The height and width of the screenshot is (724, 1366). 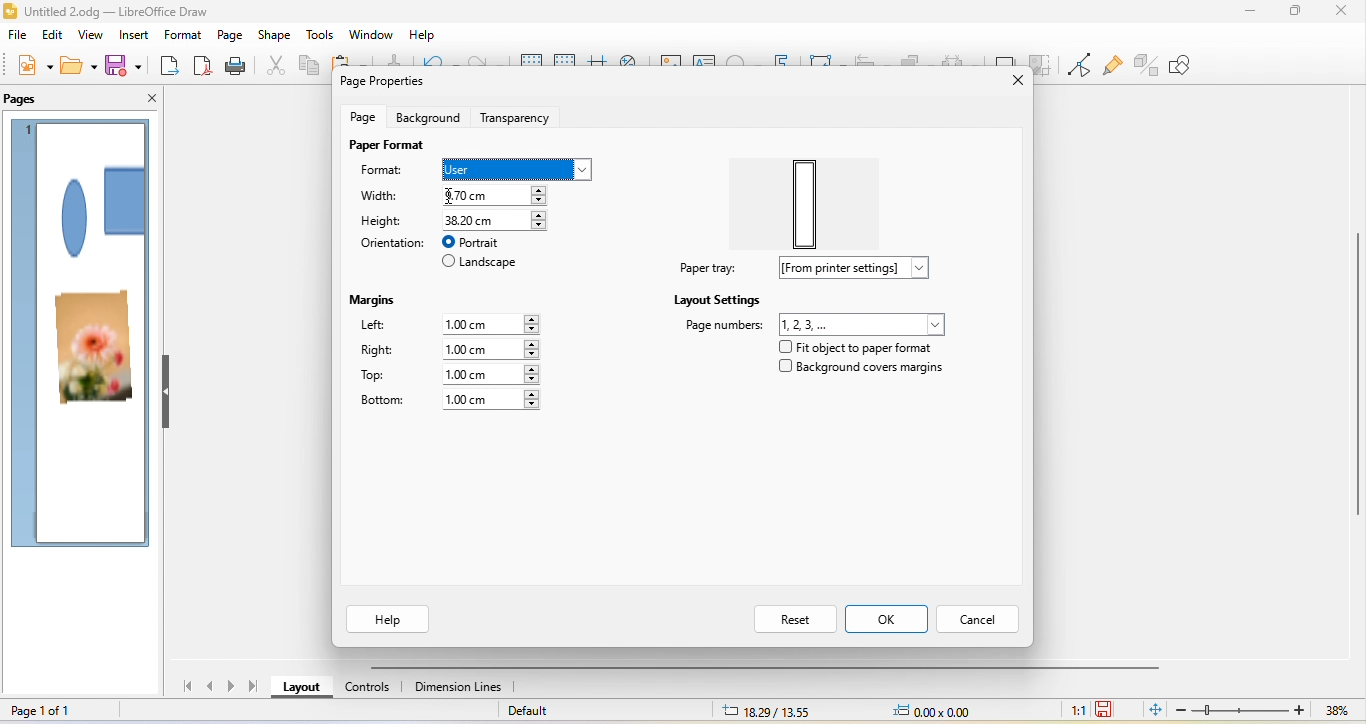 I want to click on layout settings, so click(x=721, y=299).